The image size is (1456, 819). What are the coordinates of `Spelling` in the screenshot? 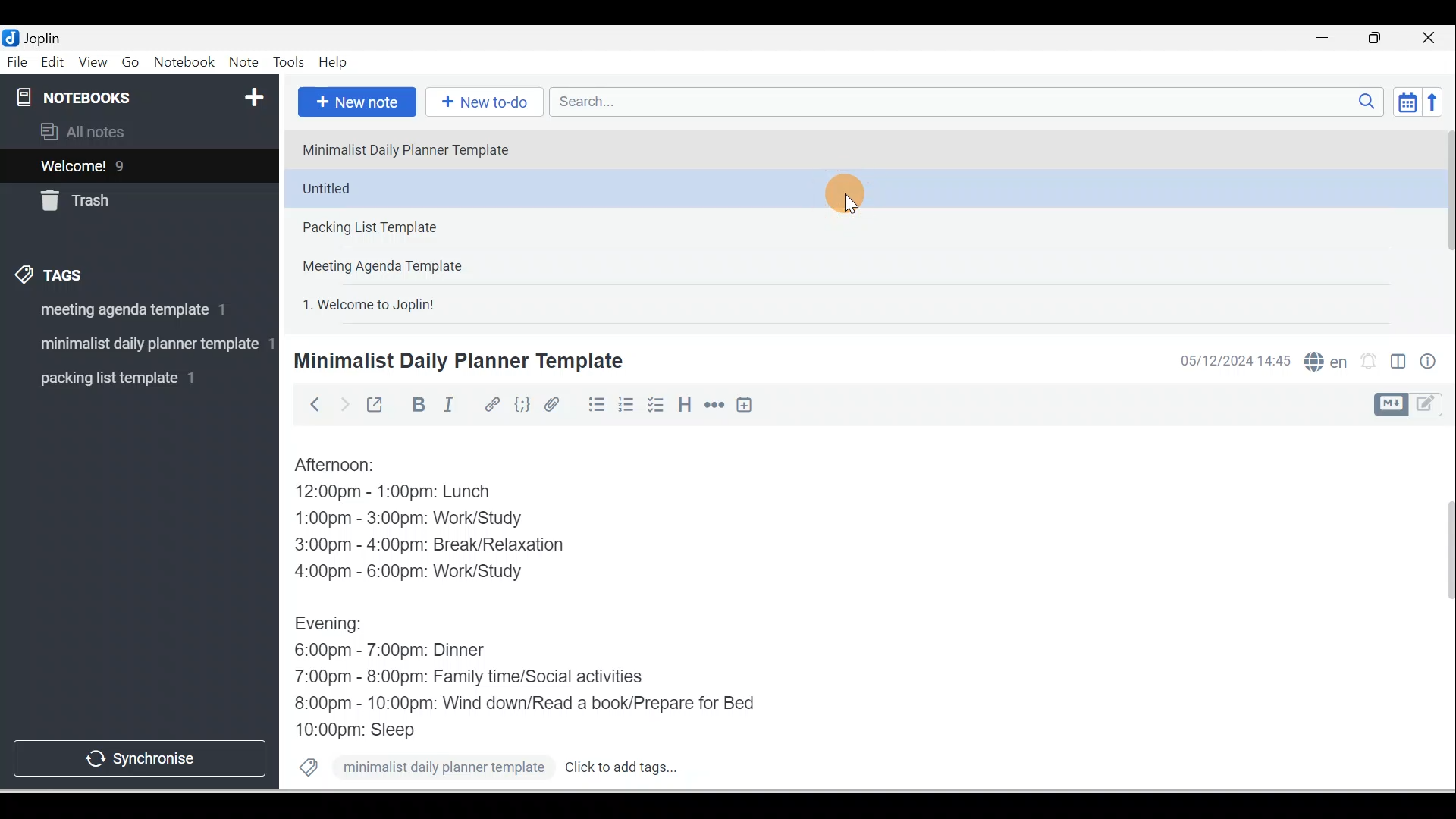 It's located at (1323, 359).